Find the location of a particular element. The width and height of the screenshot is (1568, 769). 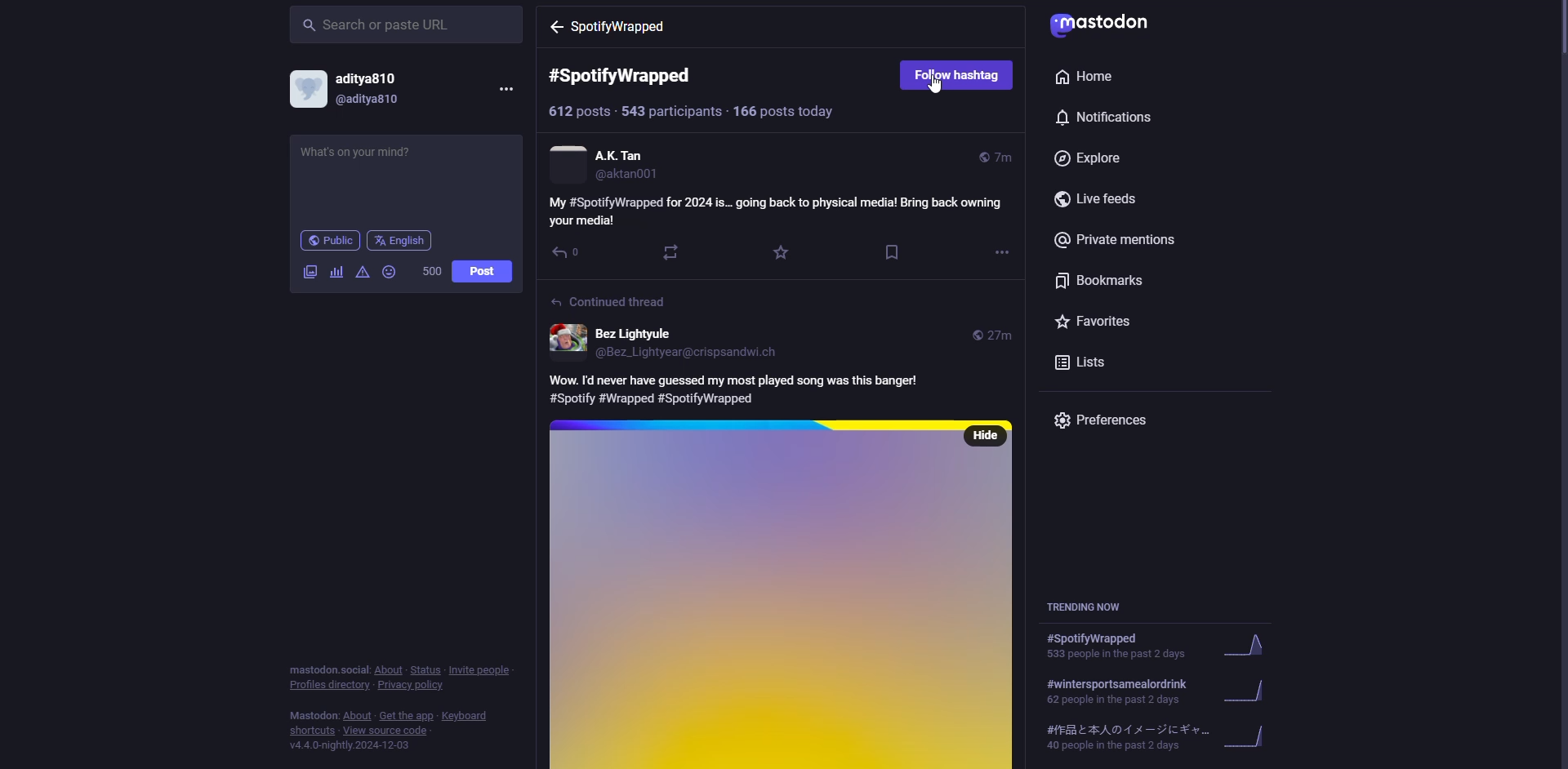

info is located at coordinates (398, 705).